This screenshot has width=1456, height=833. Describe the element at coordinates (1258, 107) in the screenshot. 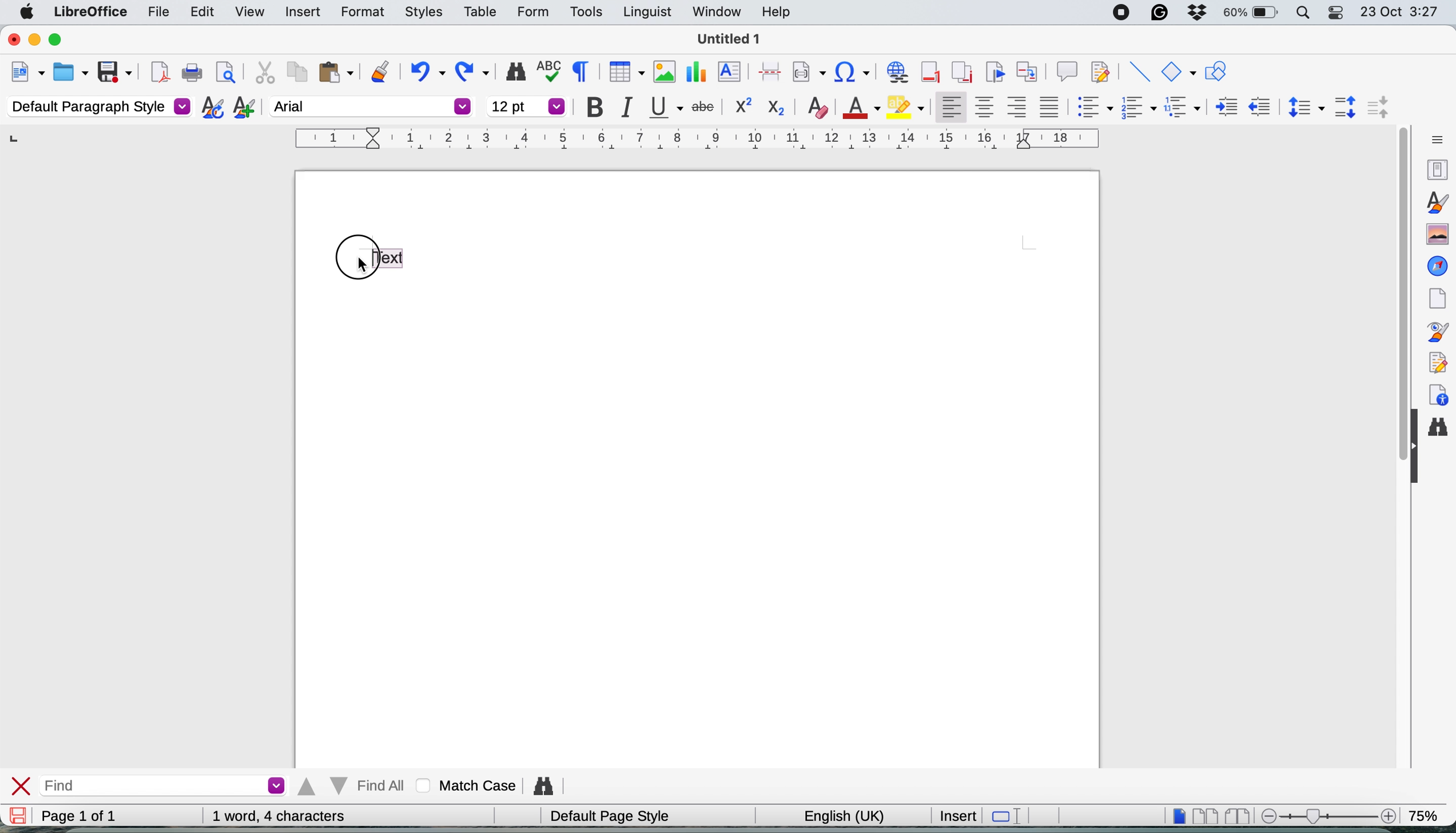

I see `decrease indent` at that location.